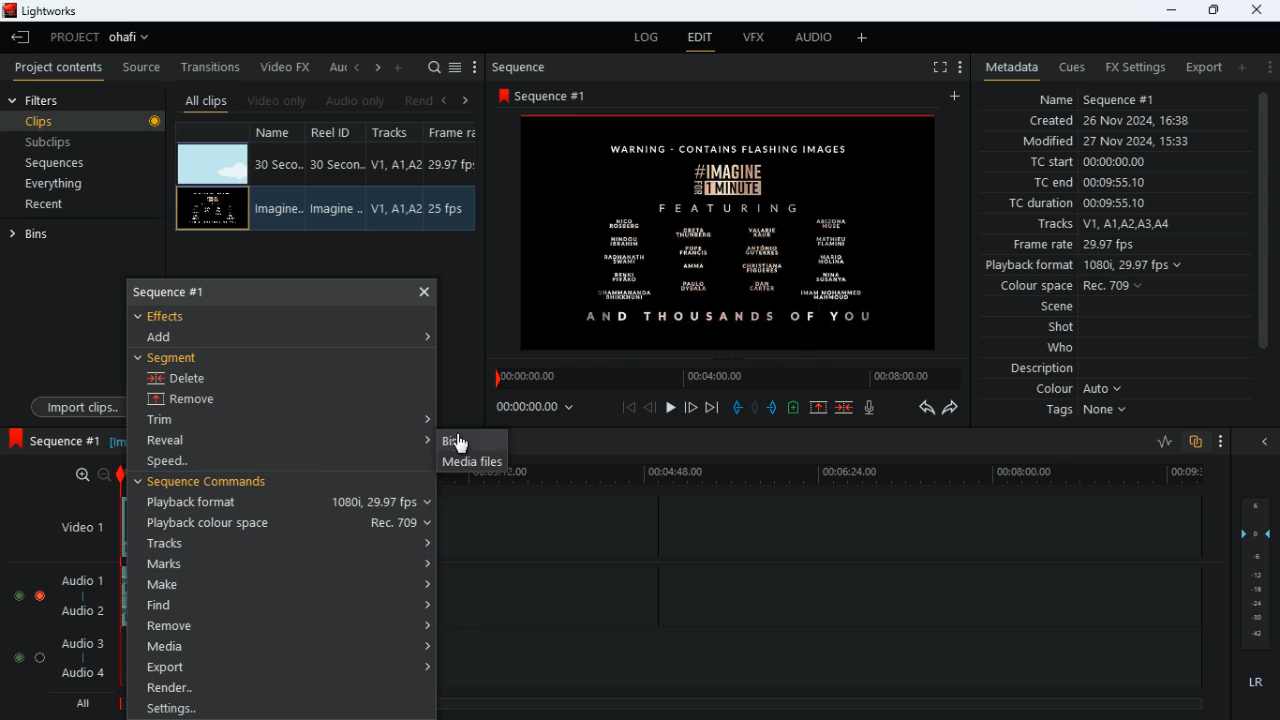 The width and height of the screenshot is (1280, 720). I want to click on timeline, so click(722, 378).